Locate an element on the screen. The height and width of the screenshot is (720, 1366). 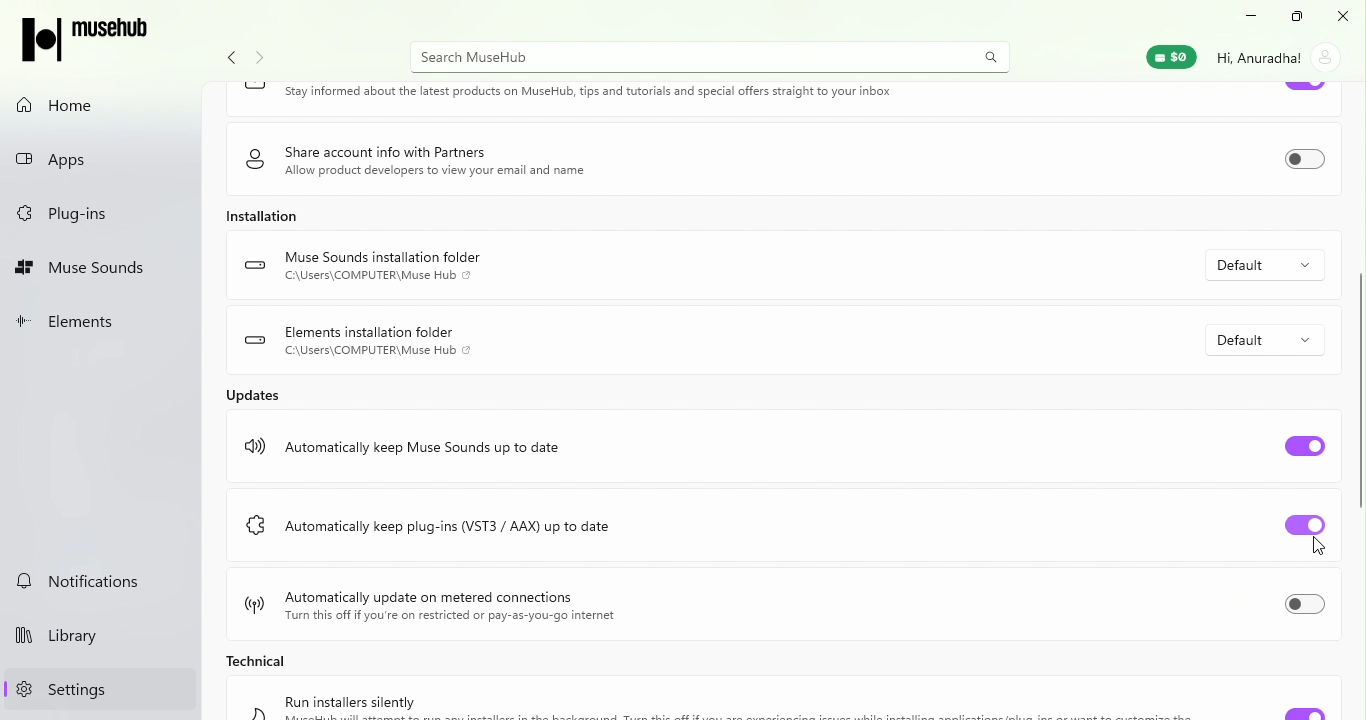
Technical is located at coordinates (260, 660).